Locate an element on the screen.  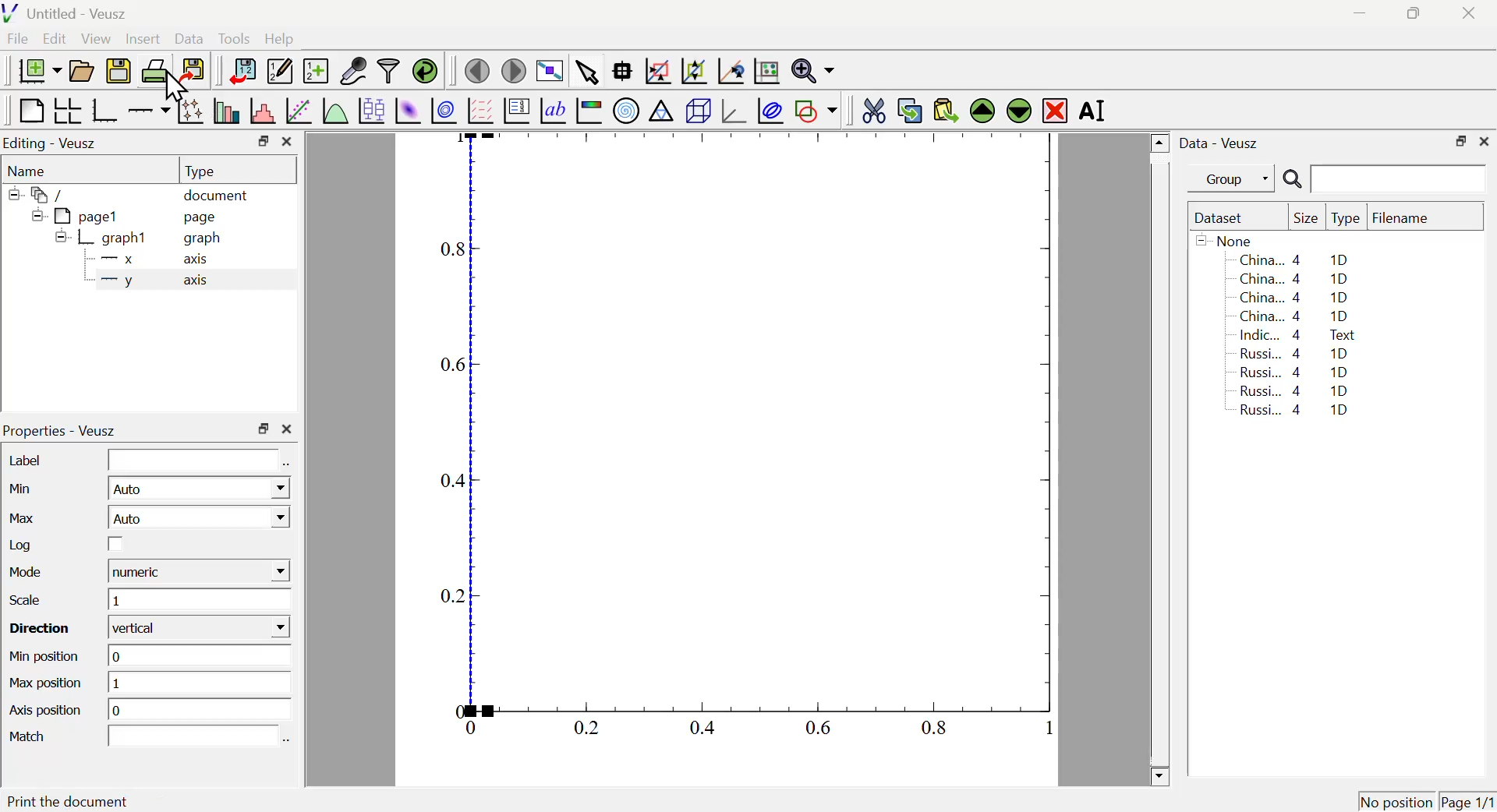
Match is located at coordinates (30, 738).